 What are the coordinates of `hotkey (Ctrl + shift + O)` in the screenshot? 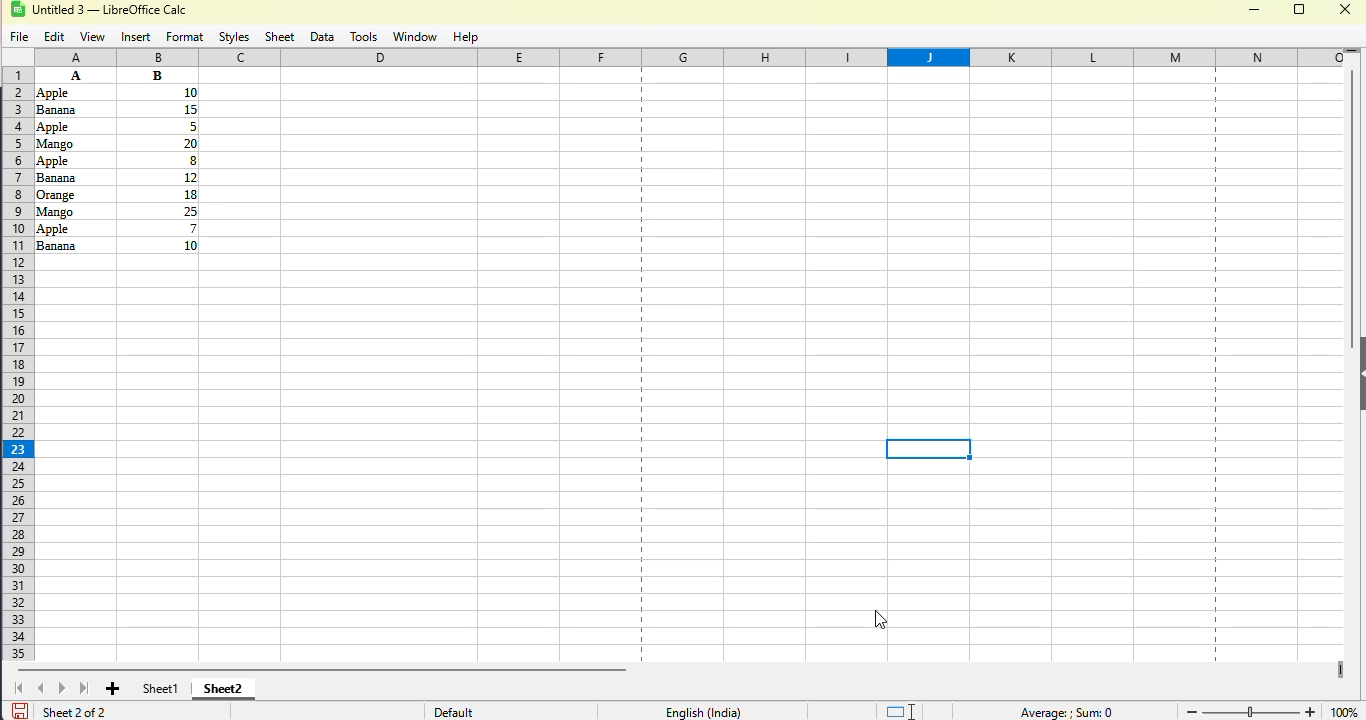 It's located at (879, 619).